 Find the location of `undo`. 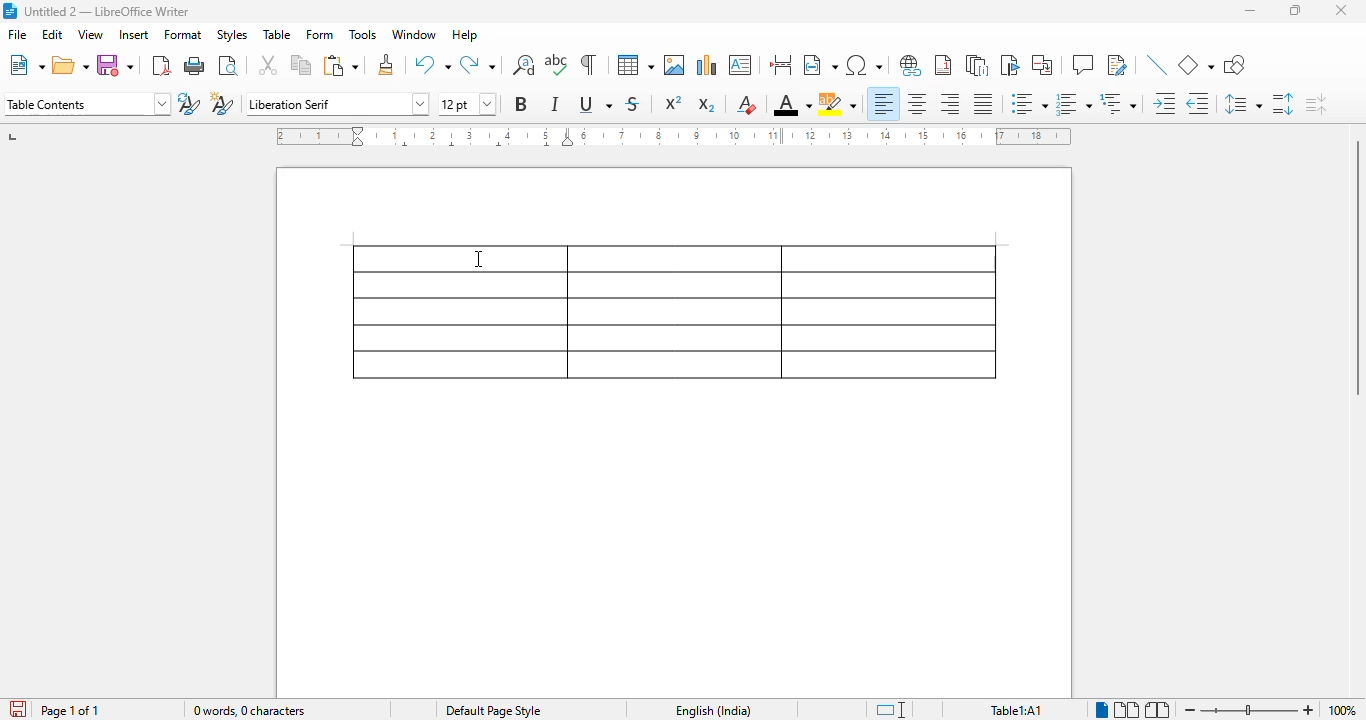

undo is located at coordinates (433, 64).